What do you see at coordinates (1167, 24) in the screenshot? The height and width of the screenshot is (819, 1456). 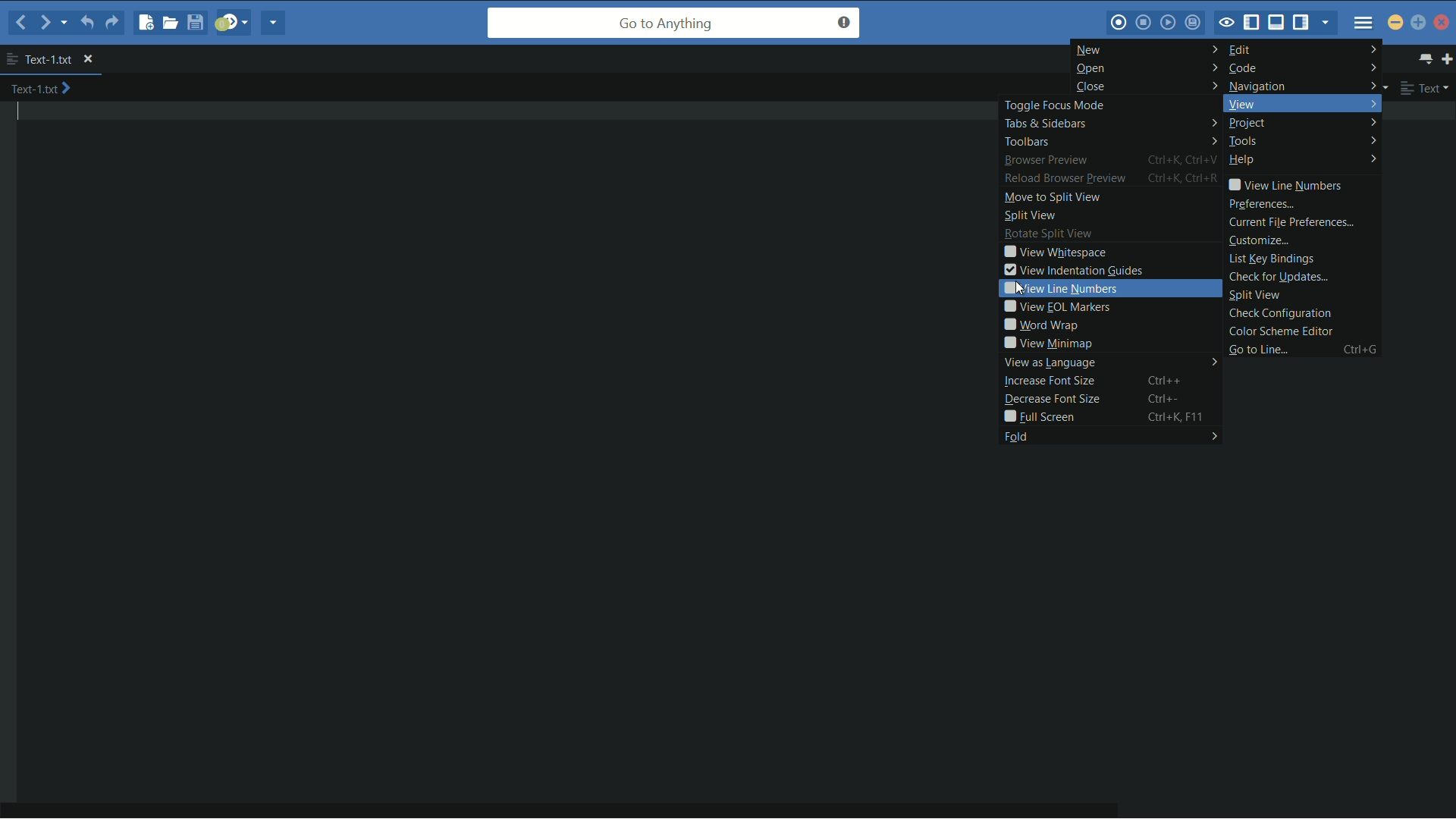 I see `play last macro` at bounding box center [1167, 24].